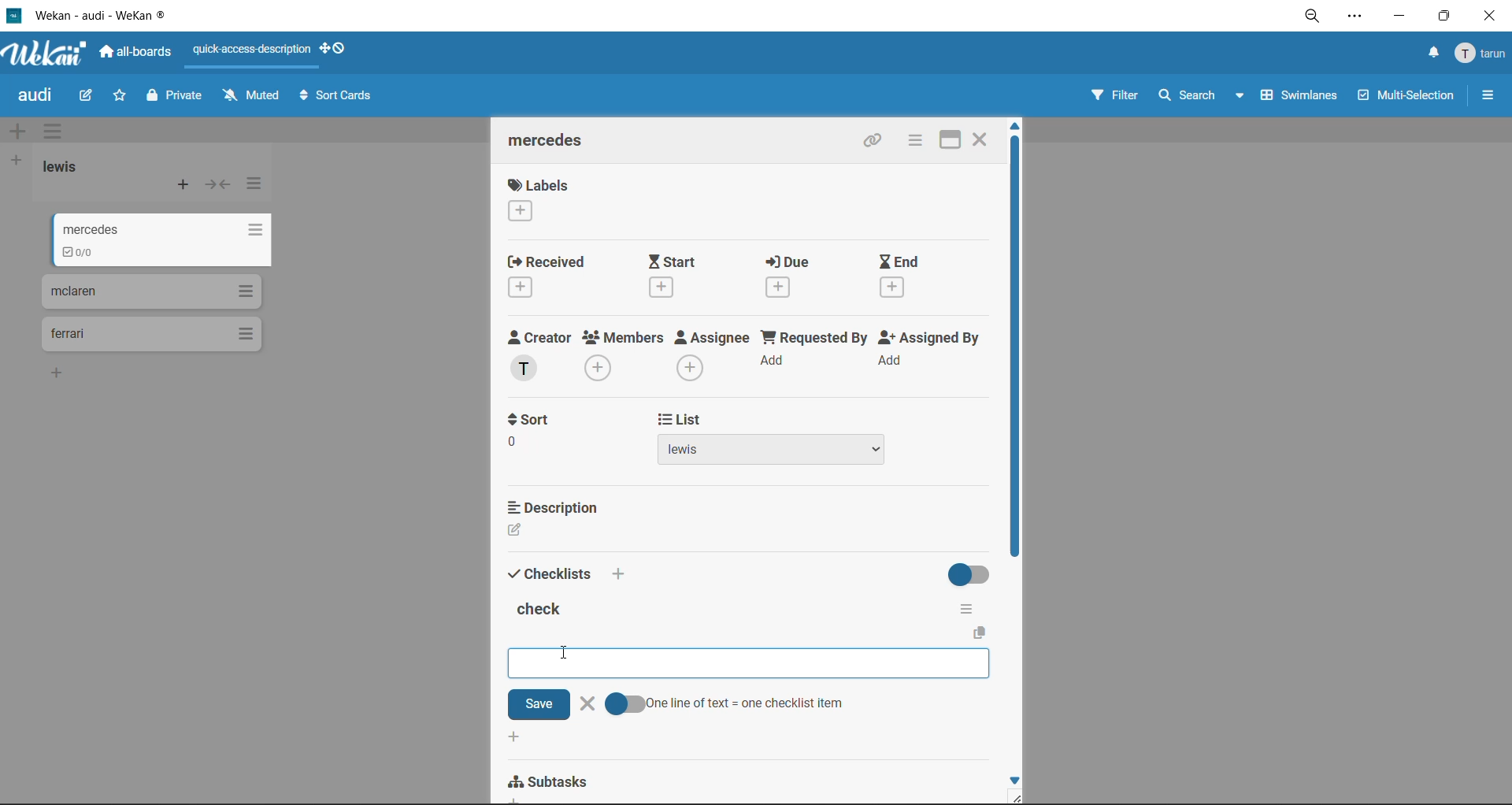 Image resolution: width=1512 pixels, height=805 pixels. What do you see at coordinates (184, 188) in the screenshot?
I see `add card` at bounding box center [184, 188].